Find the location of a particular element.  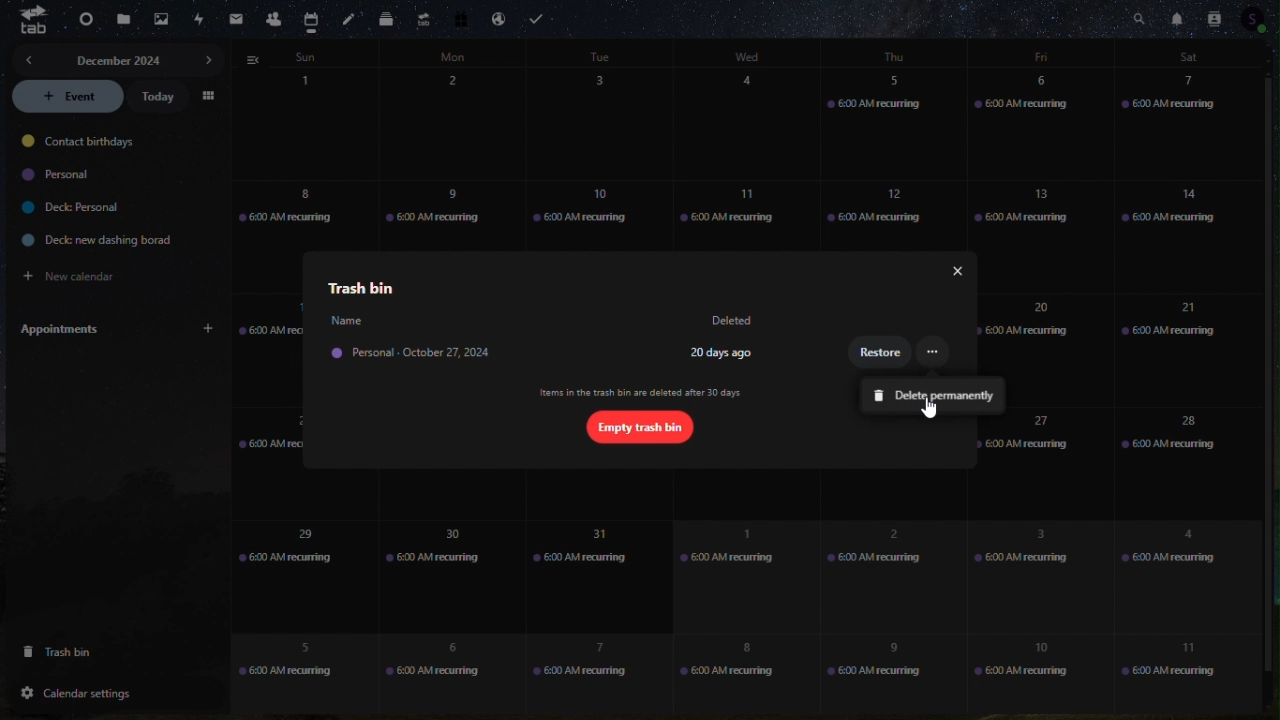

calendar is located at coordinates (312, 16).